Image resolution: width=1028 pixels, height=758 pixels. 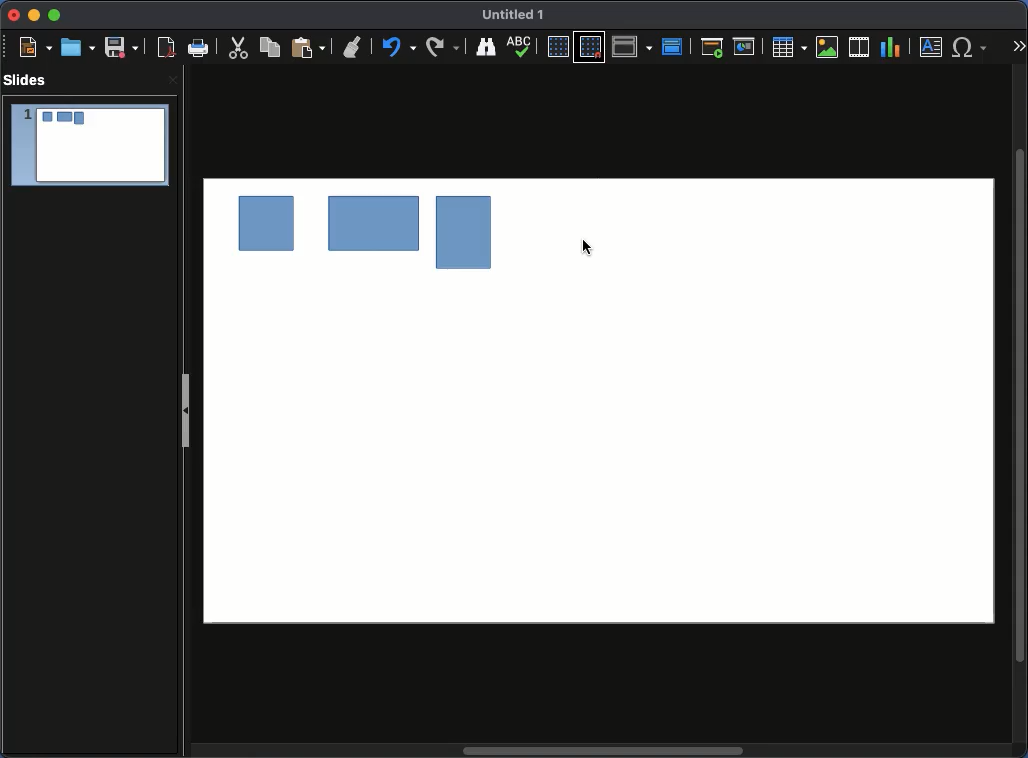 What do you see at coordinates (590, 47) in the screenshot?
I see `Snap to grid` at bounding box center [590, 47].